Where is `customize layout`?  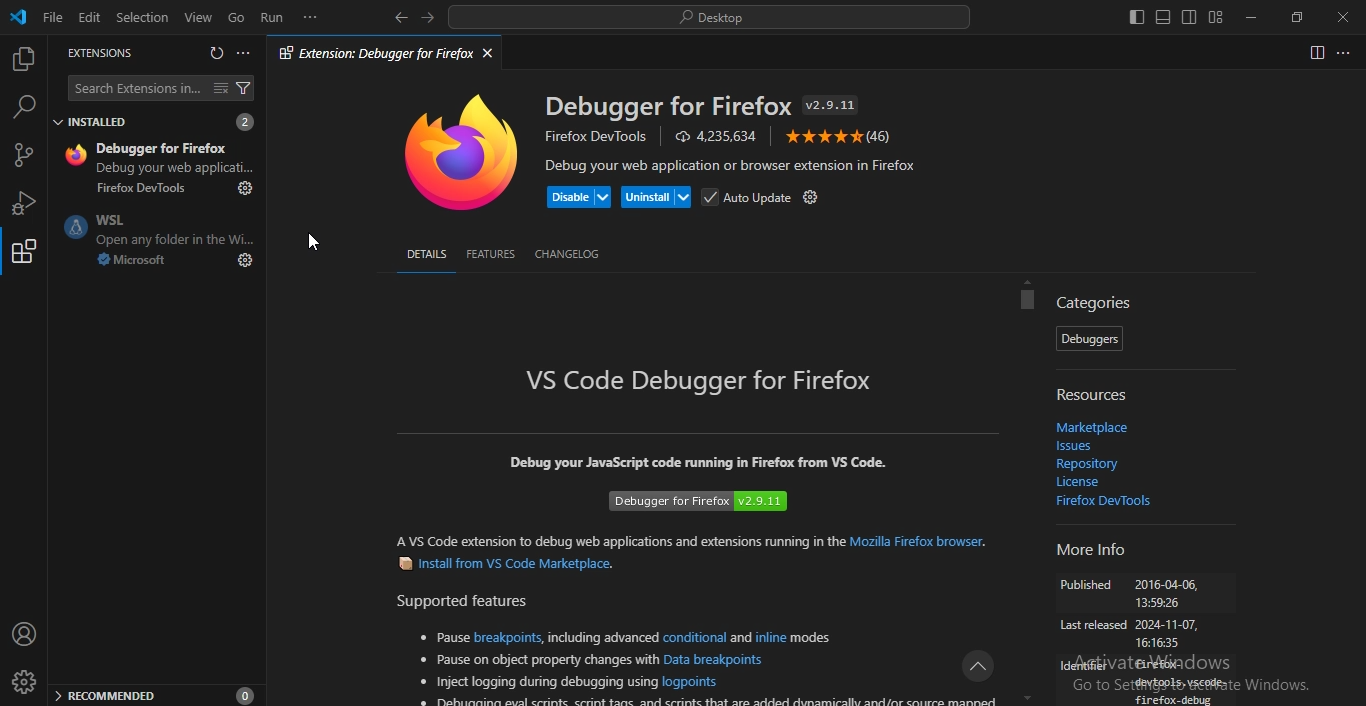 customize layout is located at coordinates (1216, 21).